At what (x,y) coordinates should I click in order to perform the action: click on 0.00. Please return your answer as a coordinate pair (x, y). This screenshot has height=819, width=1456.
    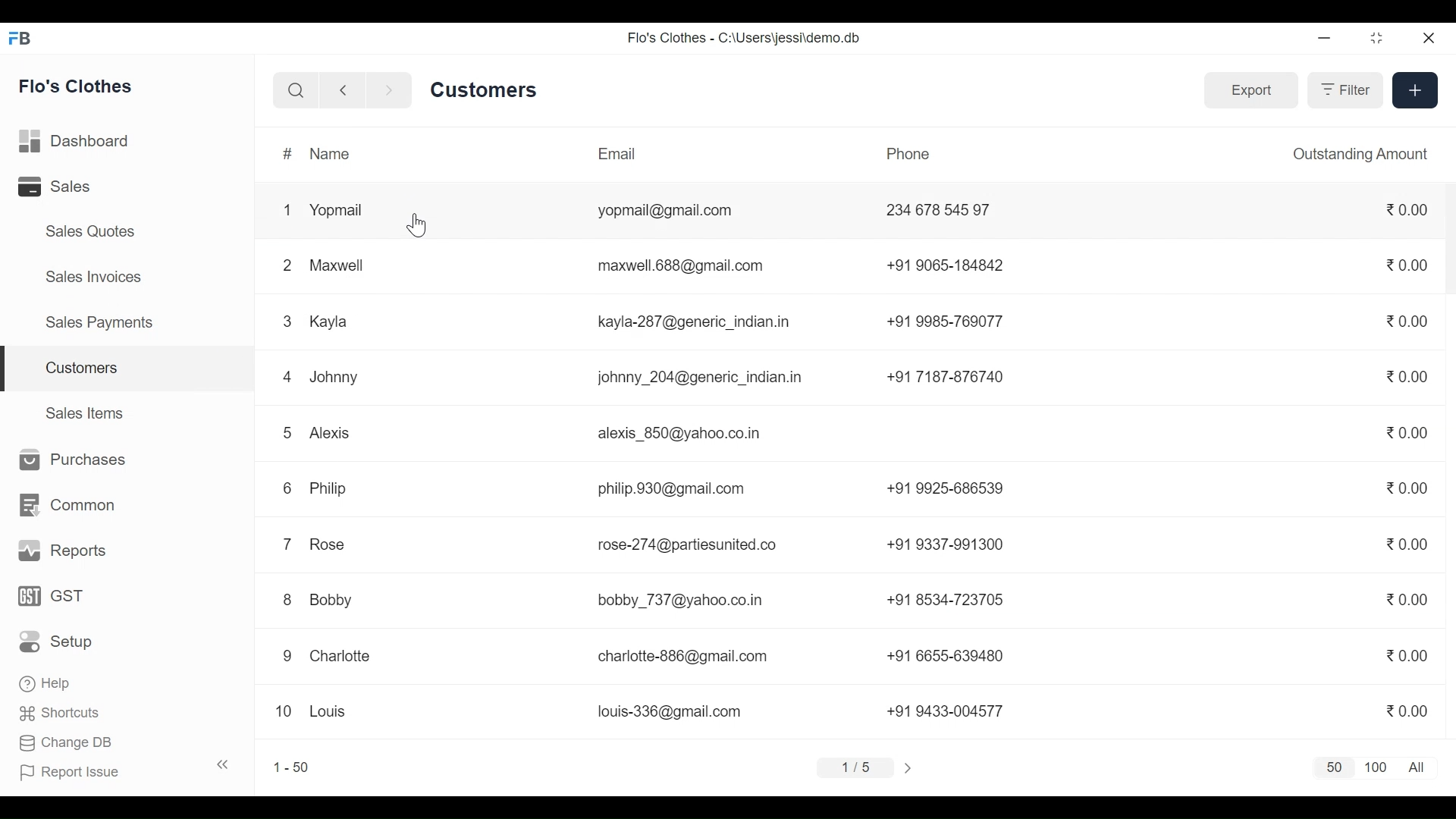
    Looking at the image, I should click on (1407, 599).